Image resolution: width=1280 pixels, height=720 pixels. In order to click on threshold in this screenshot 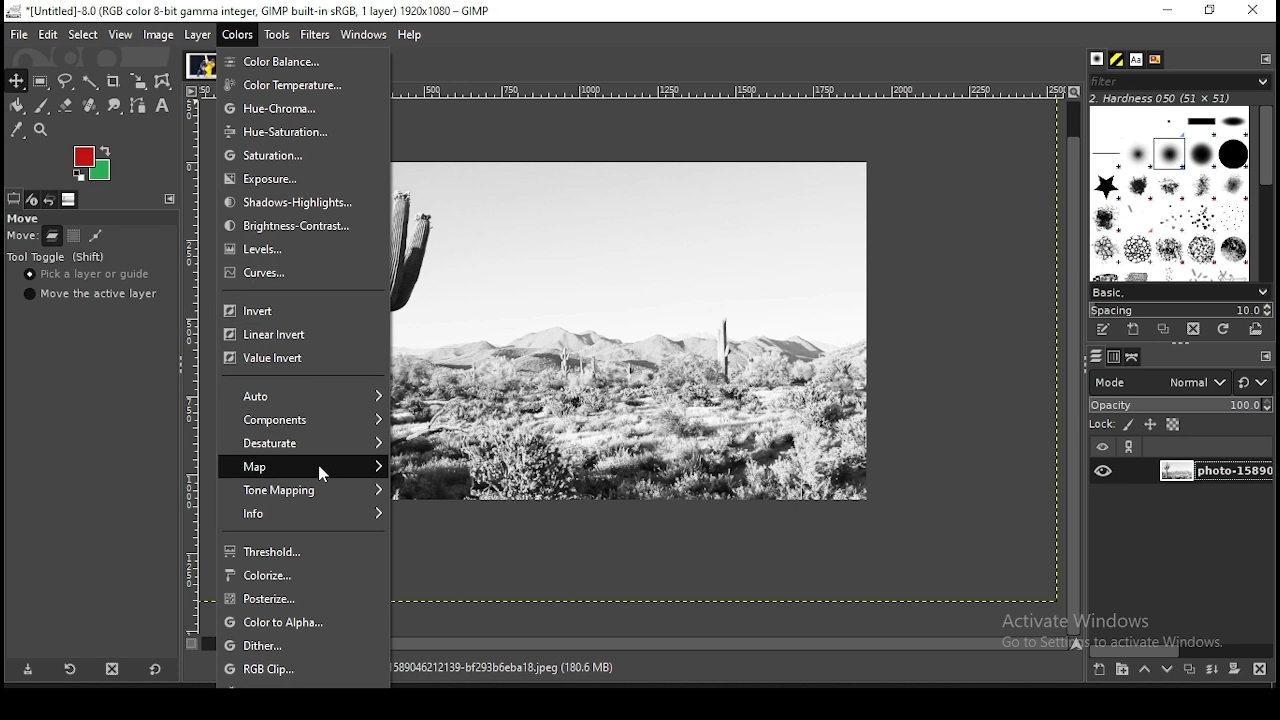, I will do `click(305, 550)`.